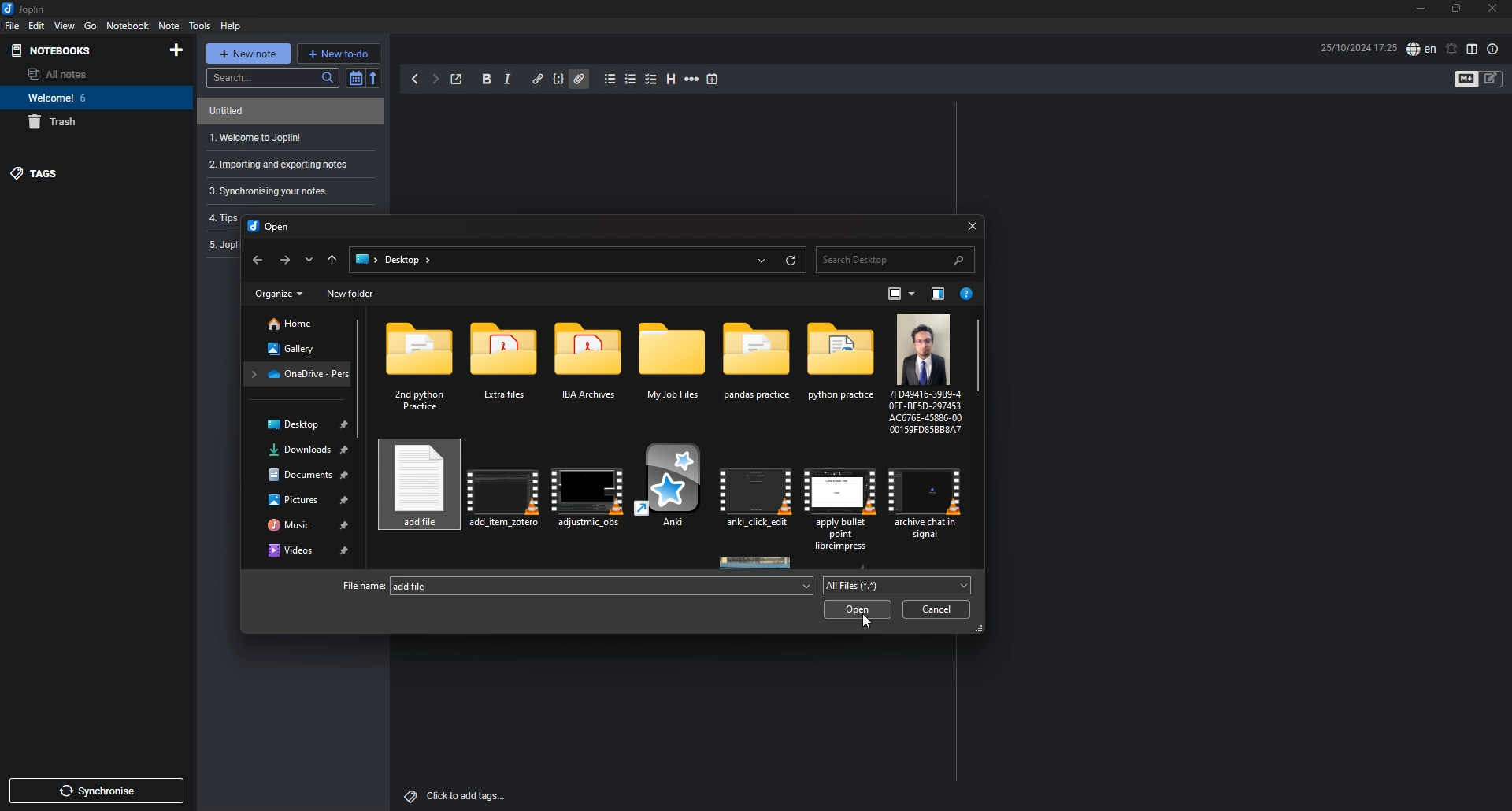  Describe the element at coordinates (91, 25) in the screenshot. I see `go` at that location.